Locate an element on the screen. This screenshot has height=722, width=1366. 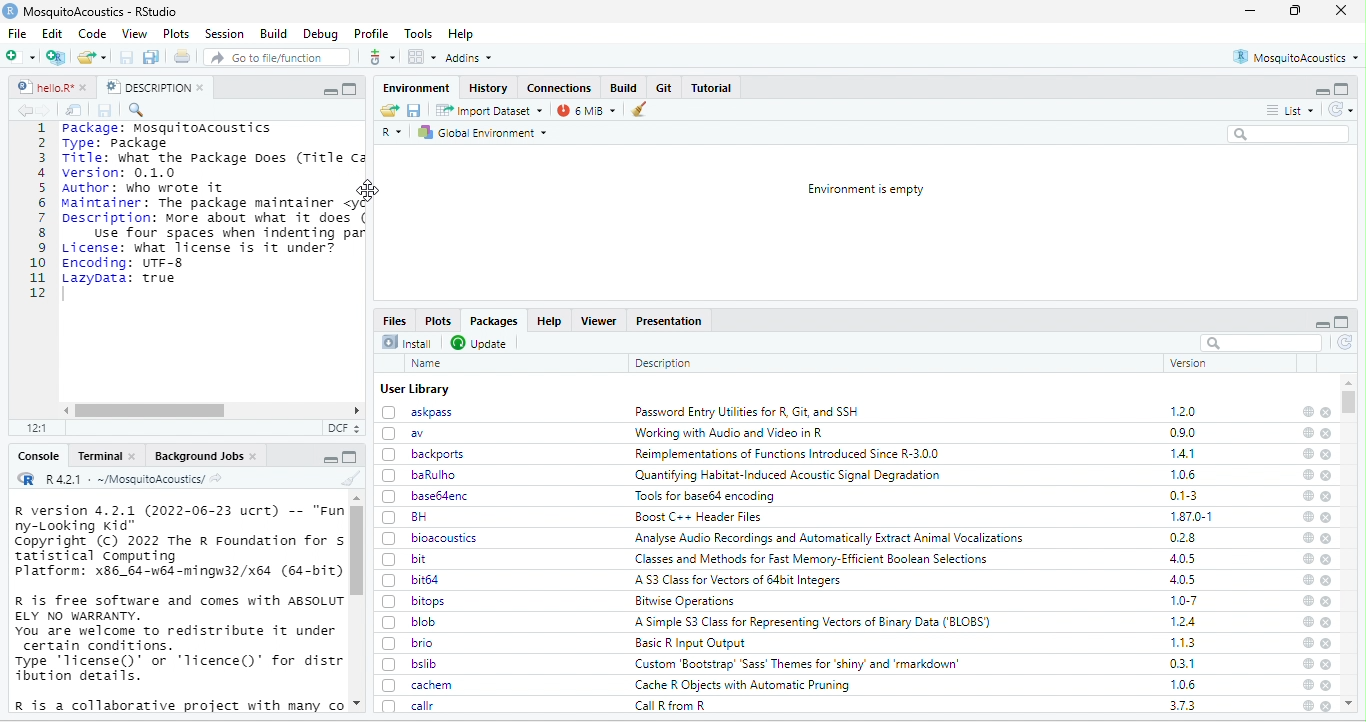
scroll bar is located at coordinates (357, 552).